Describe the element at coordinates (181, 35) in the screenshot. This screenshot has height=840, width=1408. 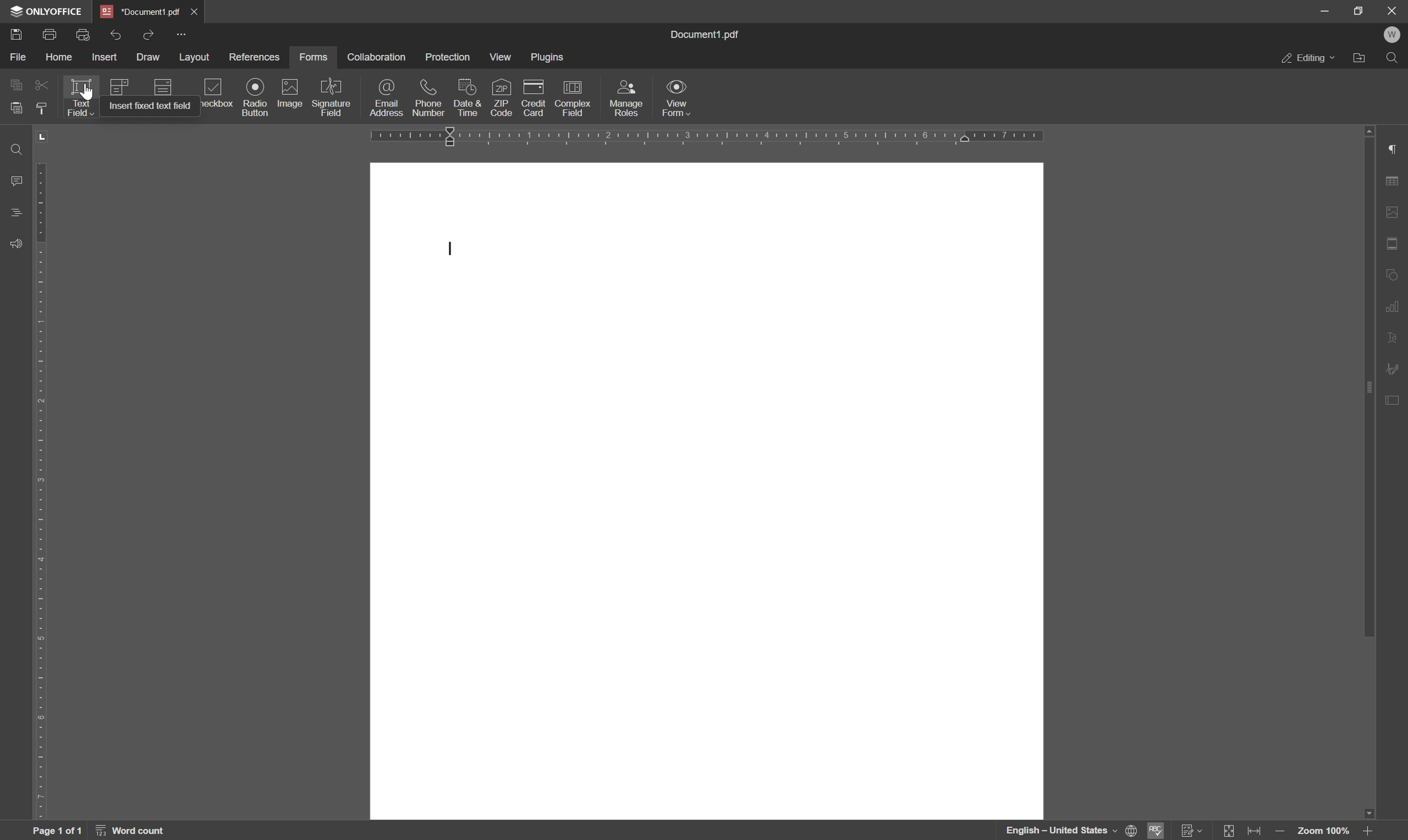
I see `customize quick access toolbar` at that location.